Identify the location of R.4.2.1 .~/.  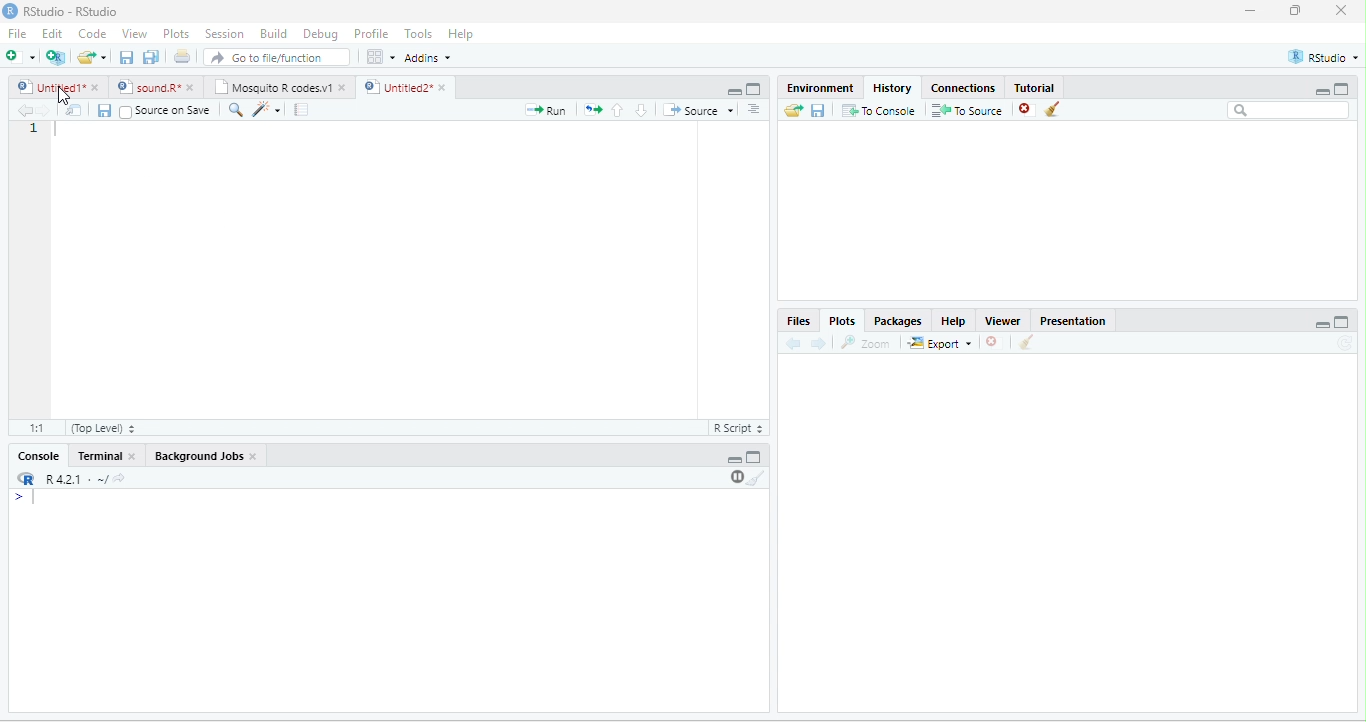
(71, 480).